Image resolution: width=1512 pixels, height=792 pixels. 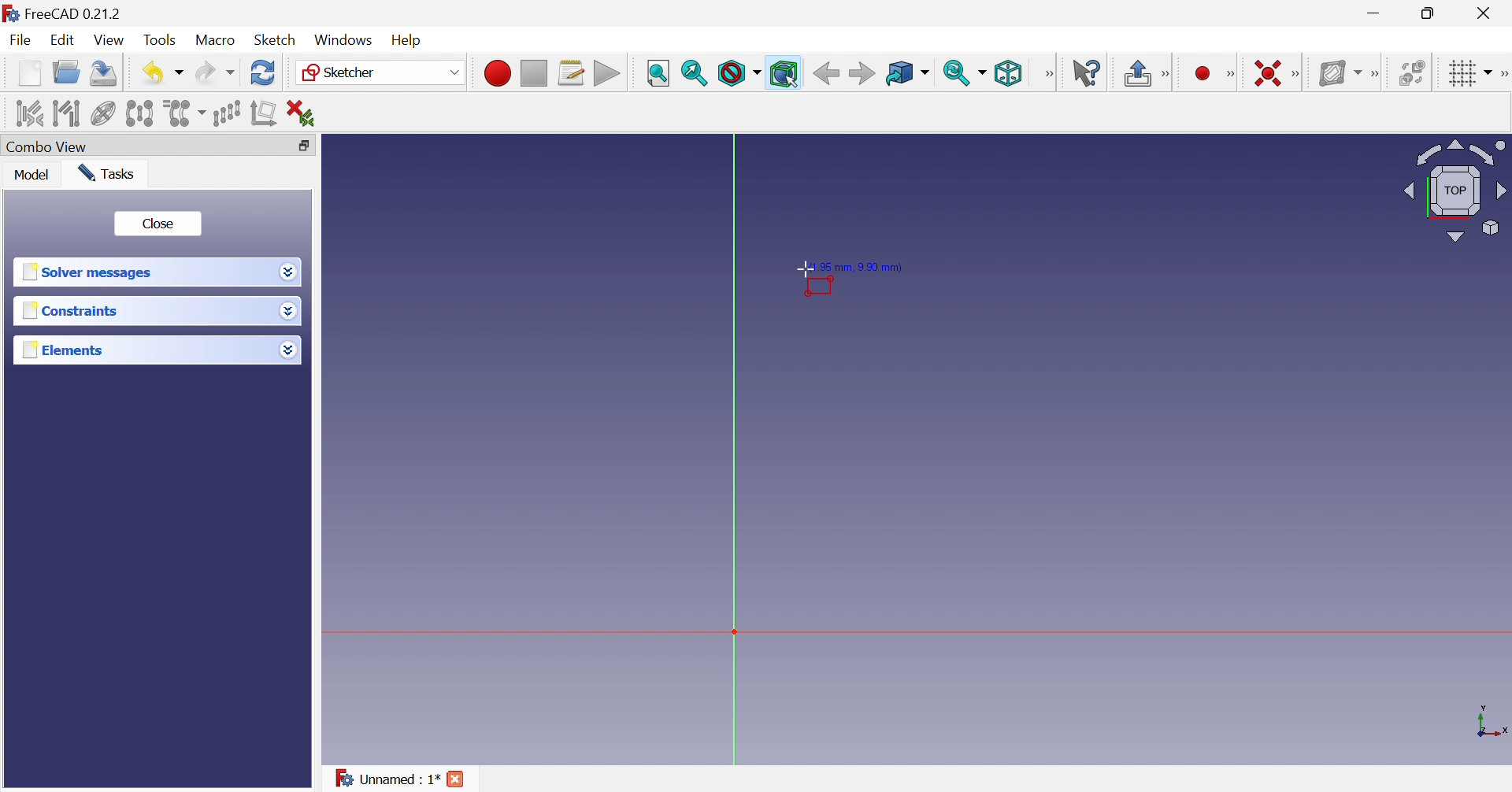 I want to click on View, so click(x=1050, y=73).